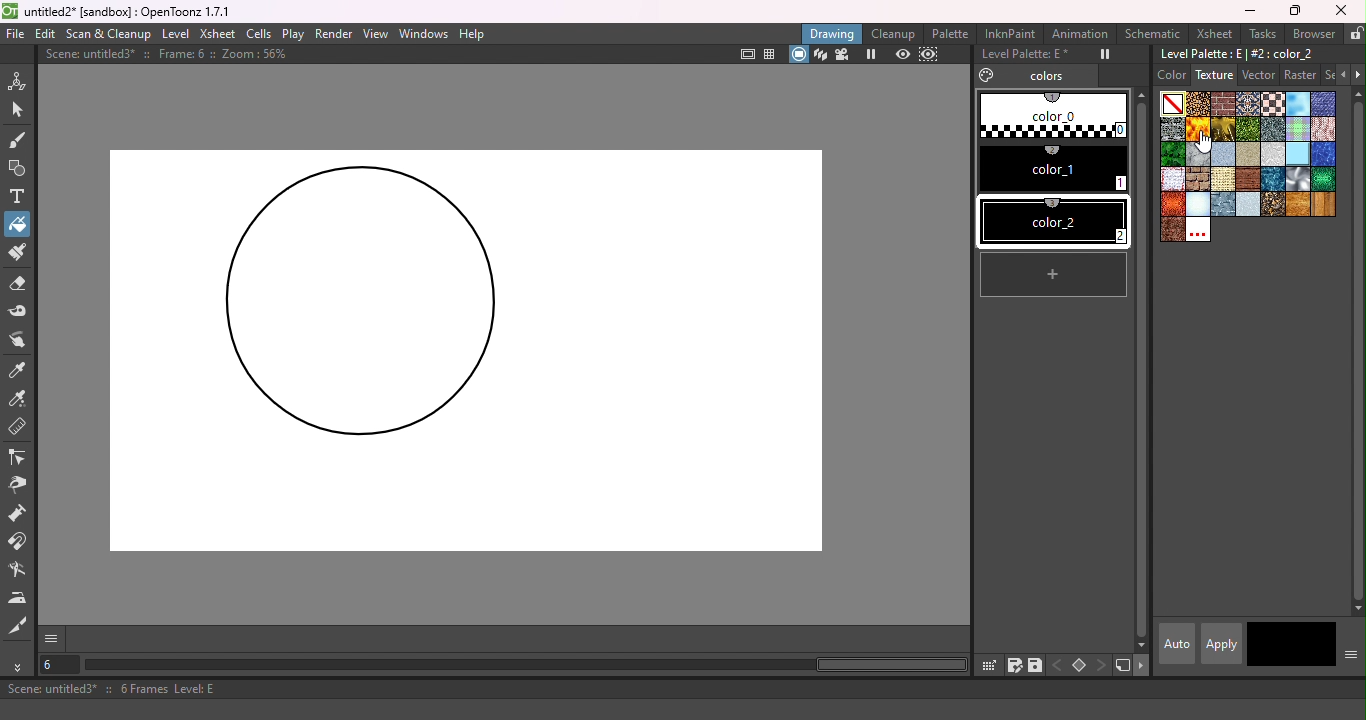 The height and width of the screenshot is (720, 1366). Describe the element at coordinates (336, 34) in the screenshot. I see `Render` at that location.